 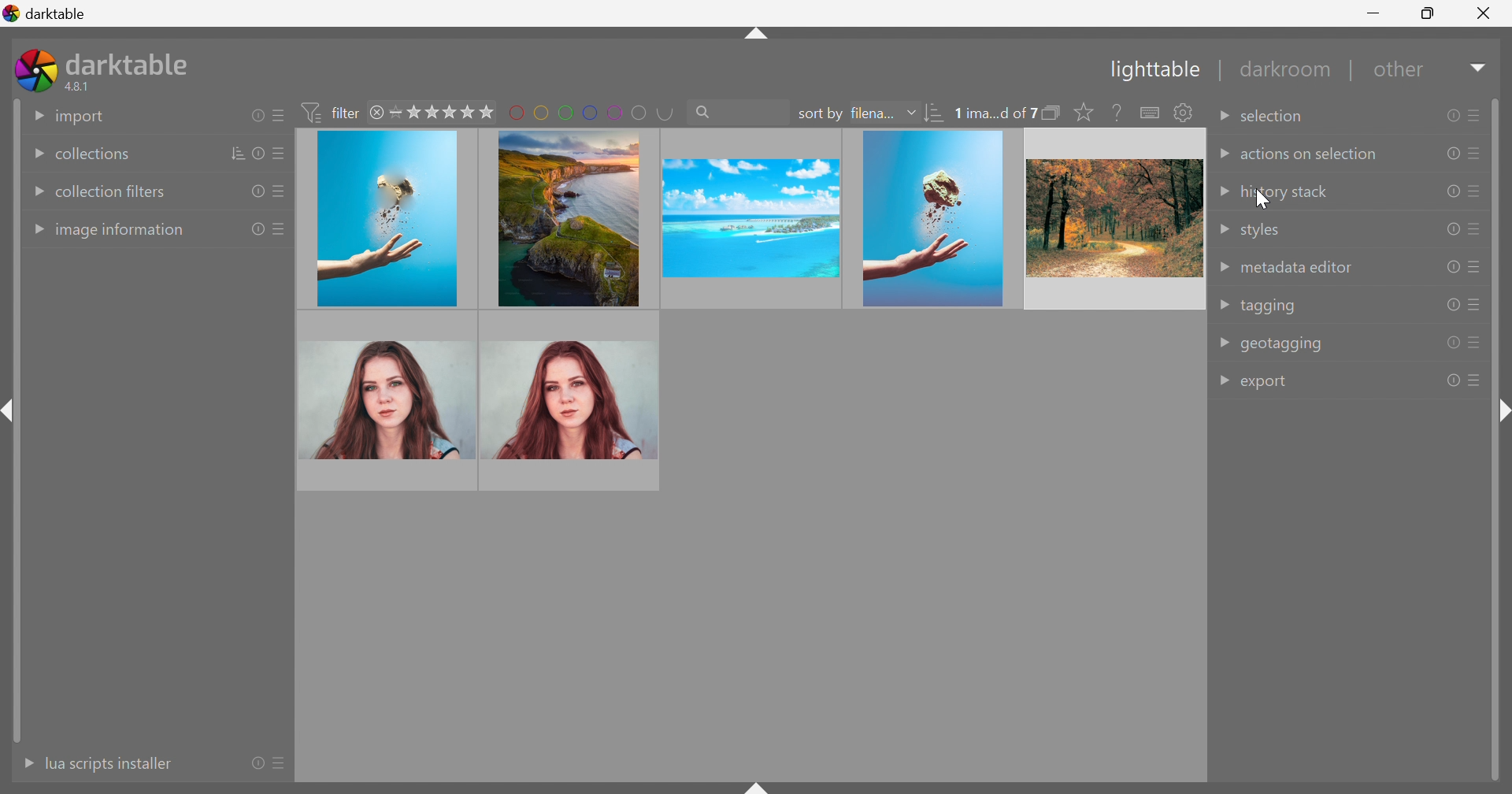 I want to click on Drop Down, so click(x=35, y=114).